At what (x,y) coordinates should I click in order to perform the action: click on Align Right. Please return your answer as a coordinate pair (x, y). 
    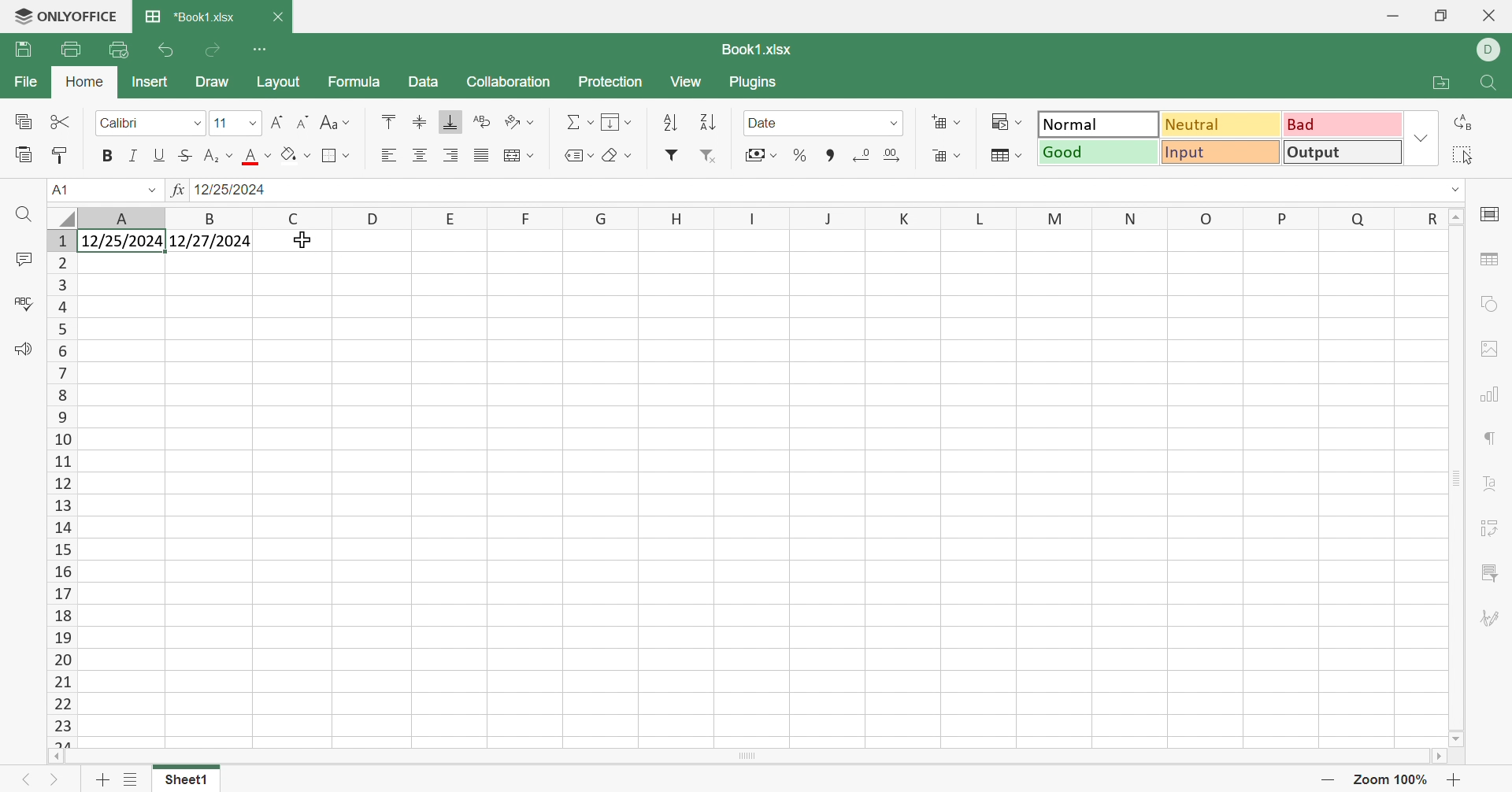
    Looking at the image, I should click on (450, 156).